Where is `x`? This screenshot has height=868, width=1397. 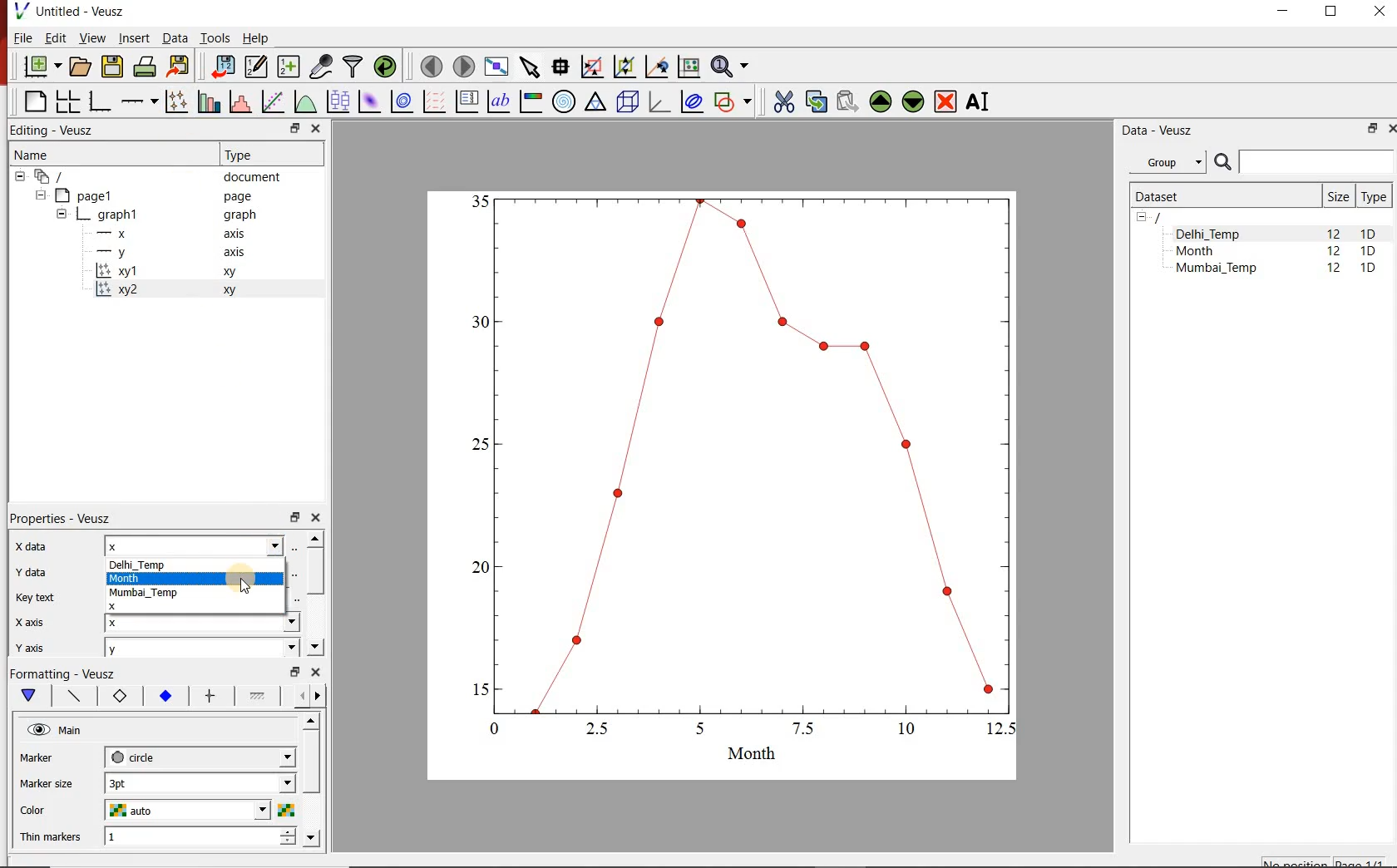
x is located at coordinates (201, 546).